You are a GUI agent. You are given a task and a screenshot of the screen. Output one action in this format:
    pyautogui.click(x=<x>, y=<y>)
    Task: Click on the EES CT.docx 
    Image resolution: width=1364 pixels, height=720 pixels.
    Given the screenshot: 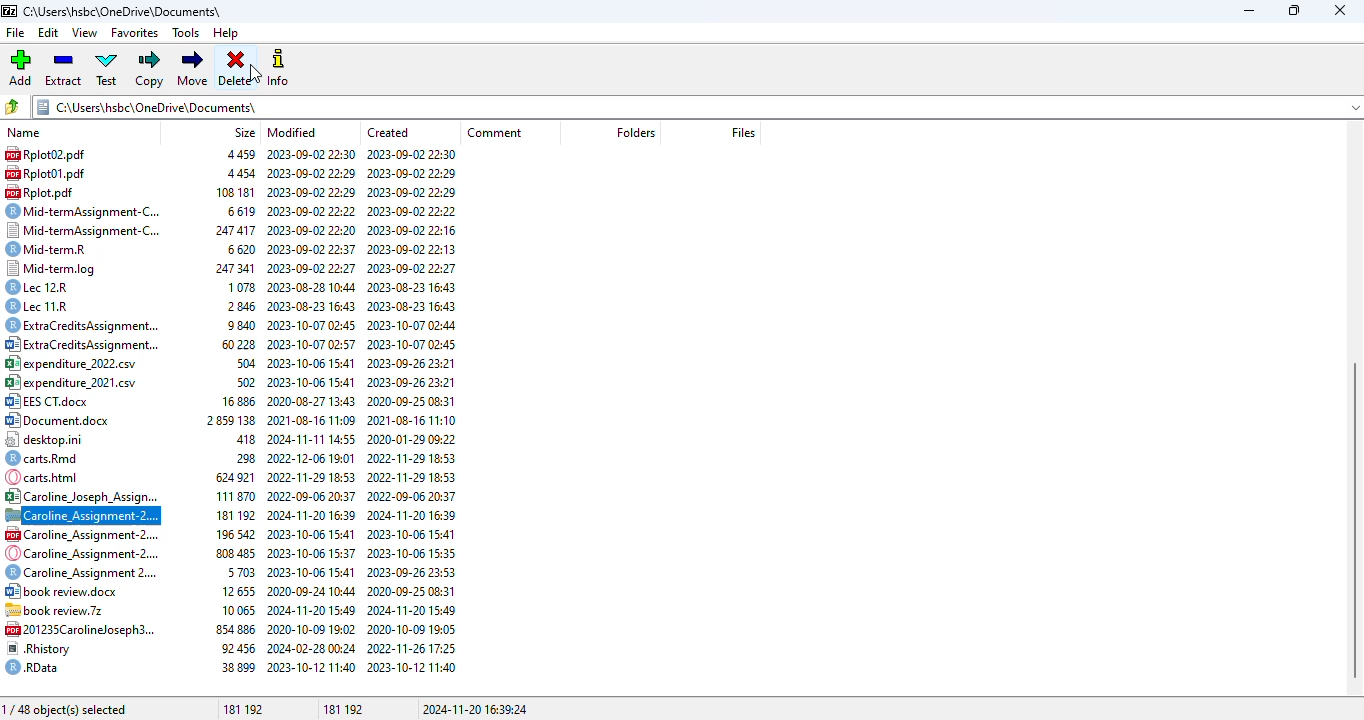 What is the action you would take?
    pyautogui.click(x=53, y=402)
    